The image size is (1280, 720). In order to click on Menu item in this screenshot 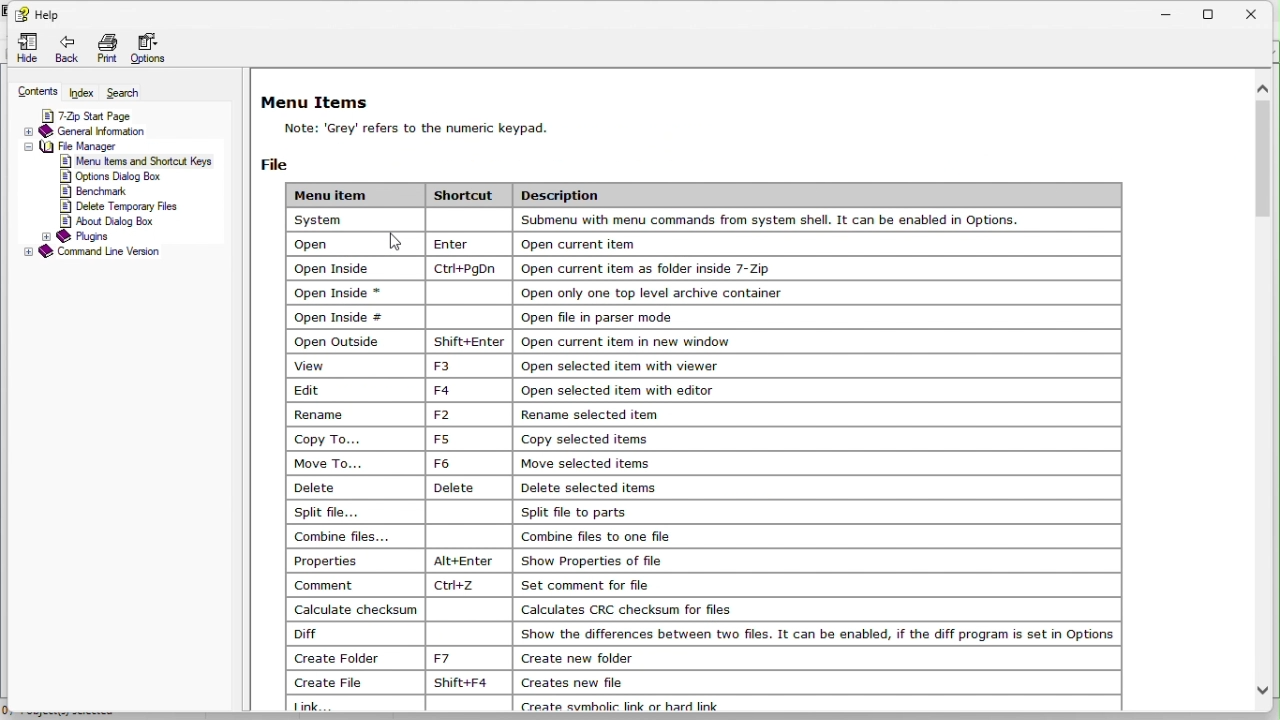, I will do `click(352, 192)`.